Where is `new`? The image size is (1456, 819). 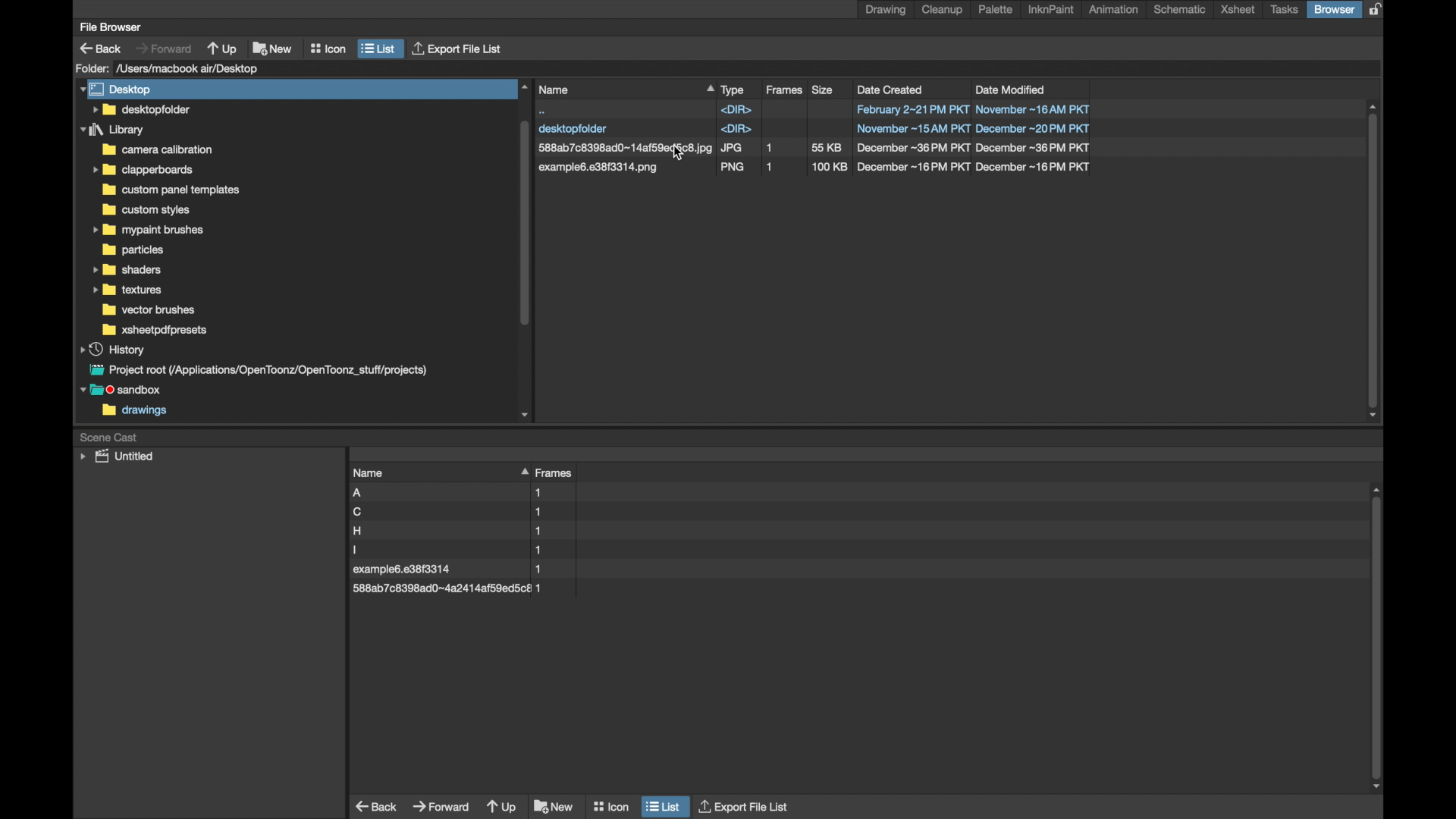 new is located at coordinates (554, 806).